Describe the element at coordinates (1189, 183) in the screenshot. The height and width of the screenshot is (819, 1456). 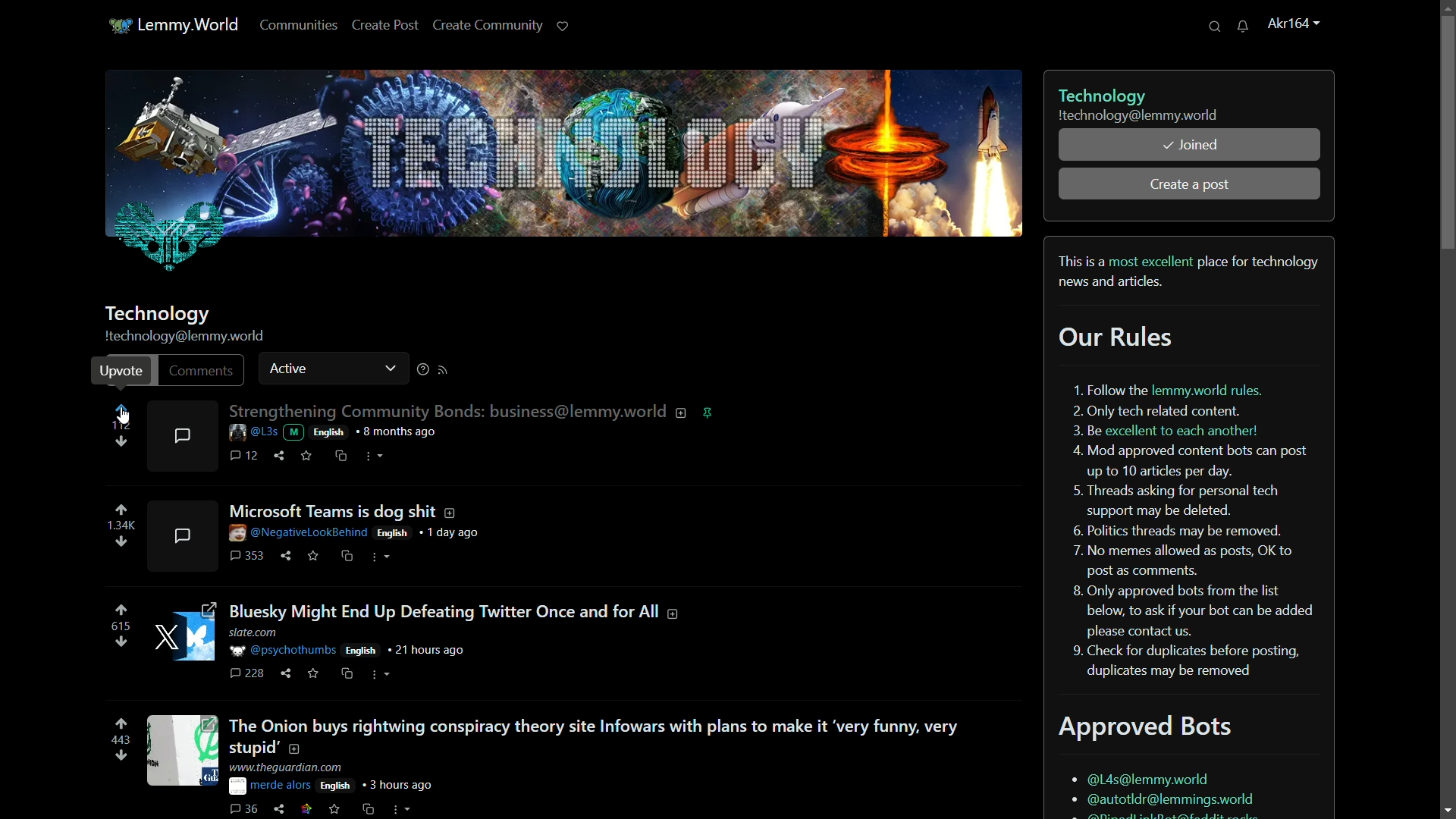
I see `create a post` at that location.